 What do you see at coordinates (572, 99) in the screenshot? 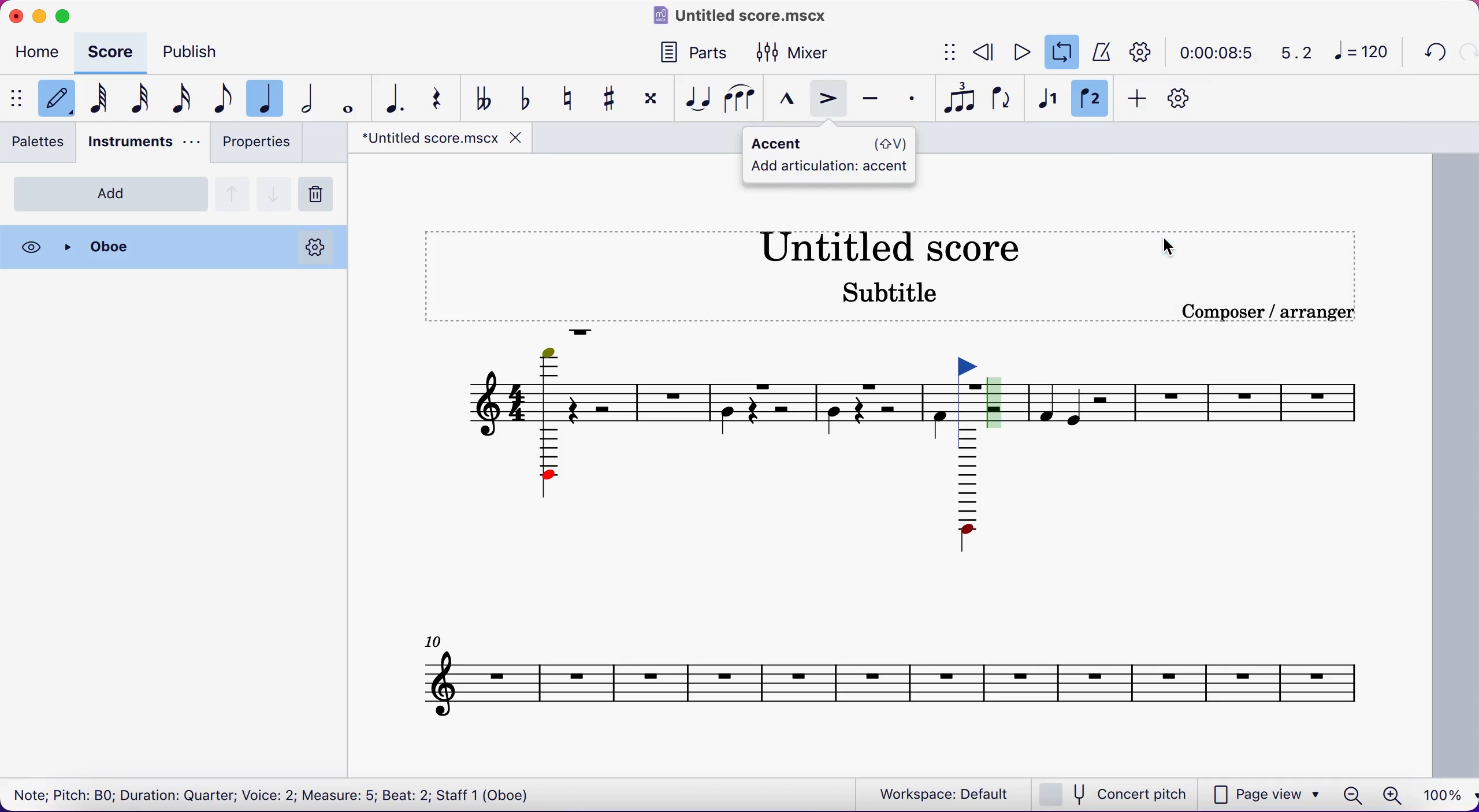
I see `toggle natural` at bounding box center [572, 99].